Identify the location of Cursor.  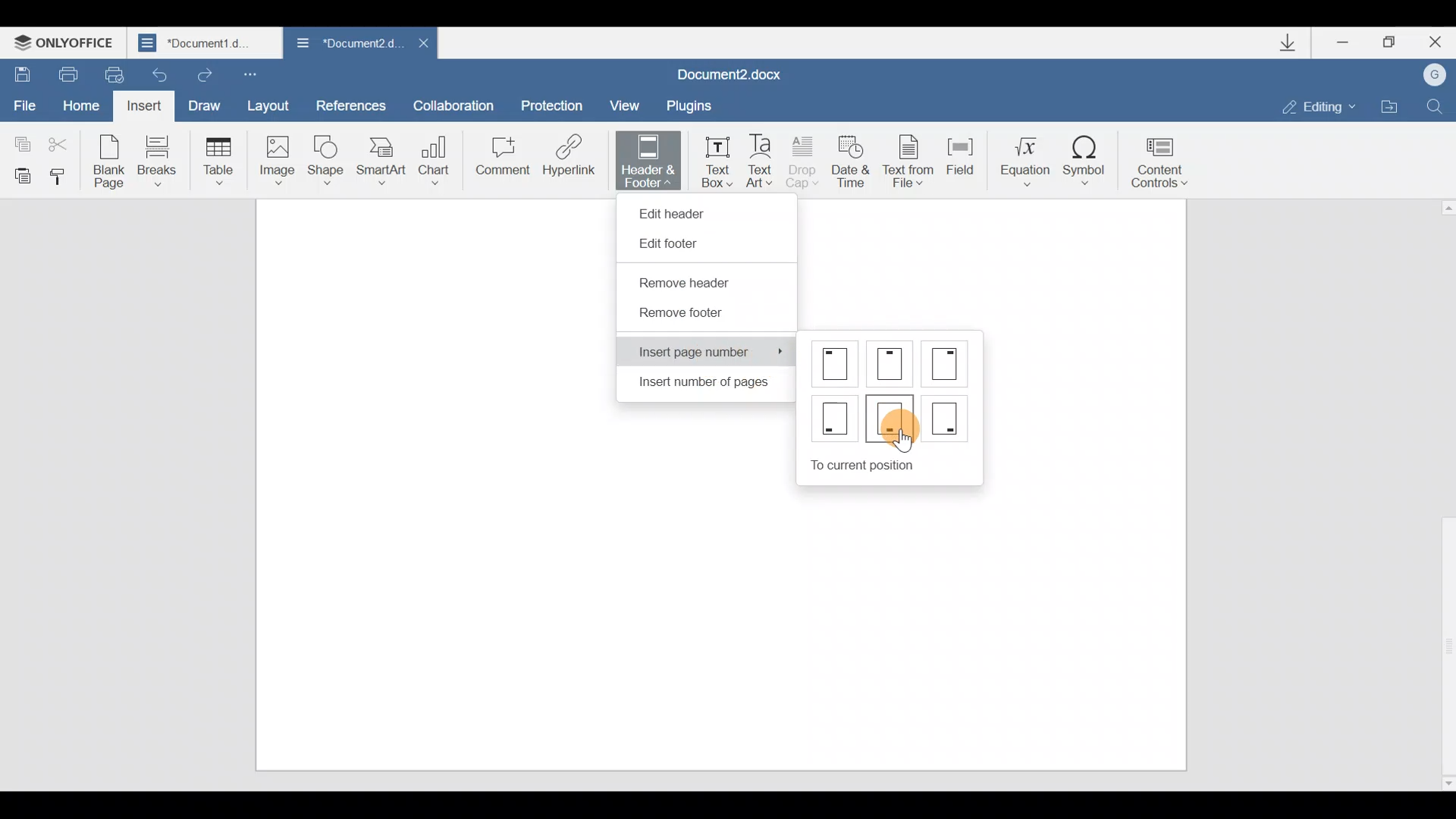
(904, 431).